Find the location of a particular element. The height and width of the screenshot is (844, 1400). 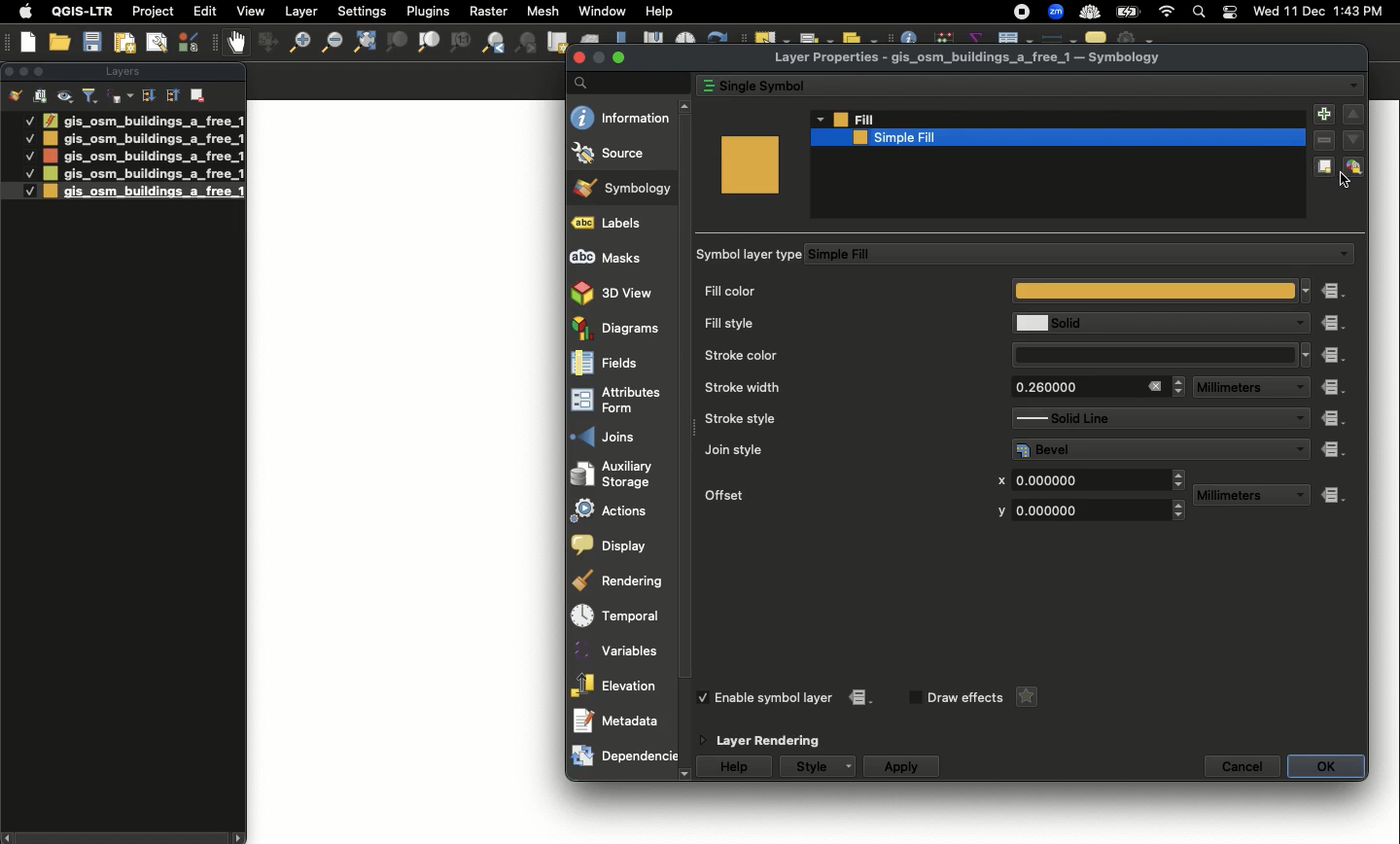

Zoom out  is located at coordinates (330, 42).